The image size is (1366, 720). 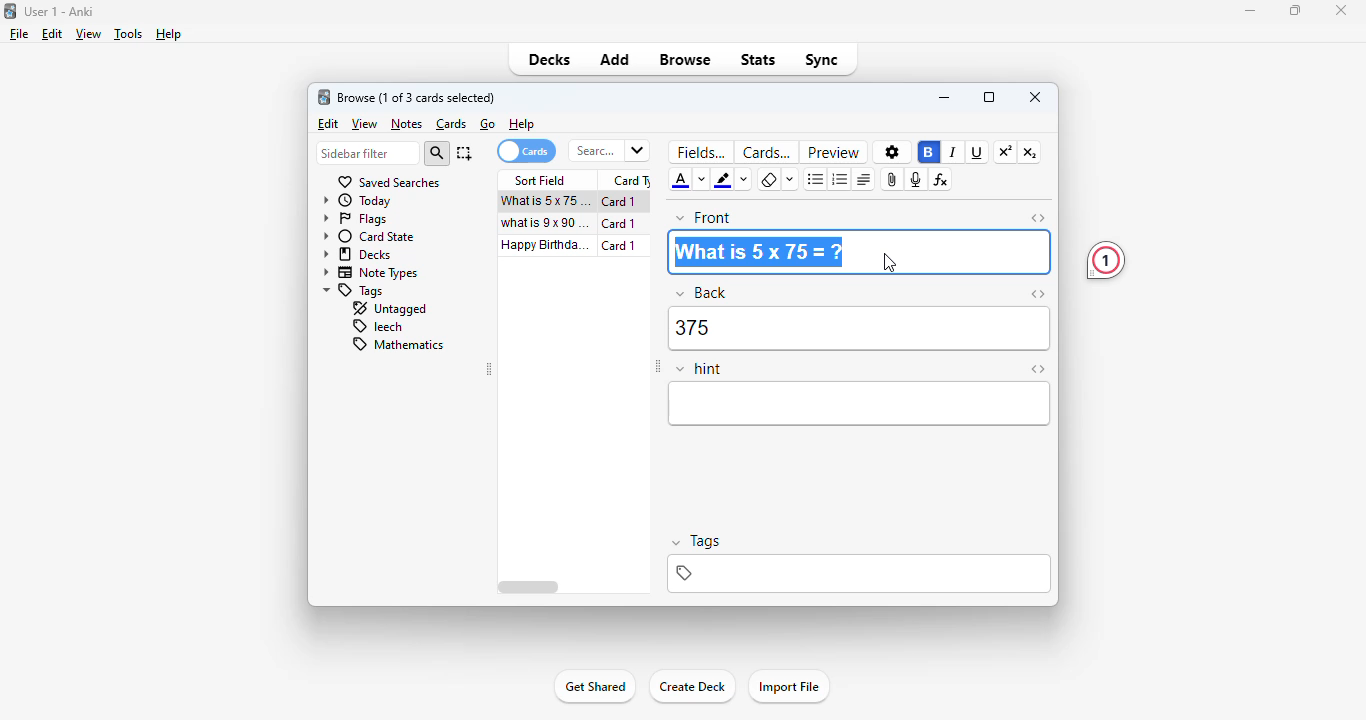 What do you see at coordinates (989, 98) in the screenshot?
I see `maximize` at bounding box center [989, 98].